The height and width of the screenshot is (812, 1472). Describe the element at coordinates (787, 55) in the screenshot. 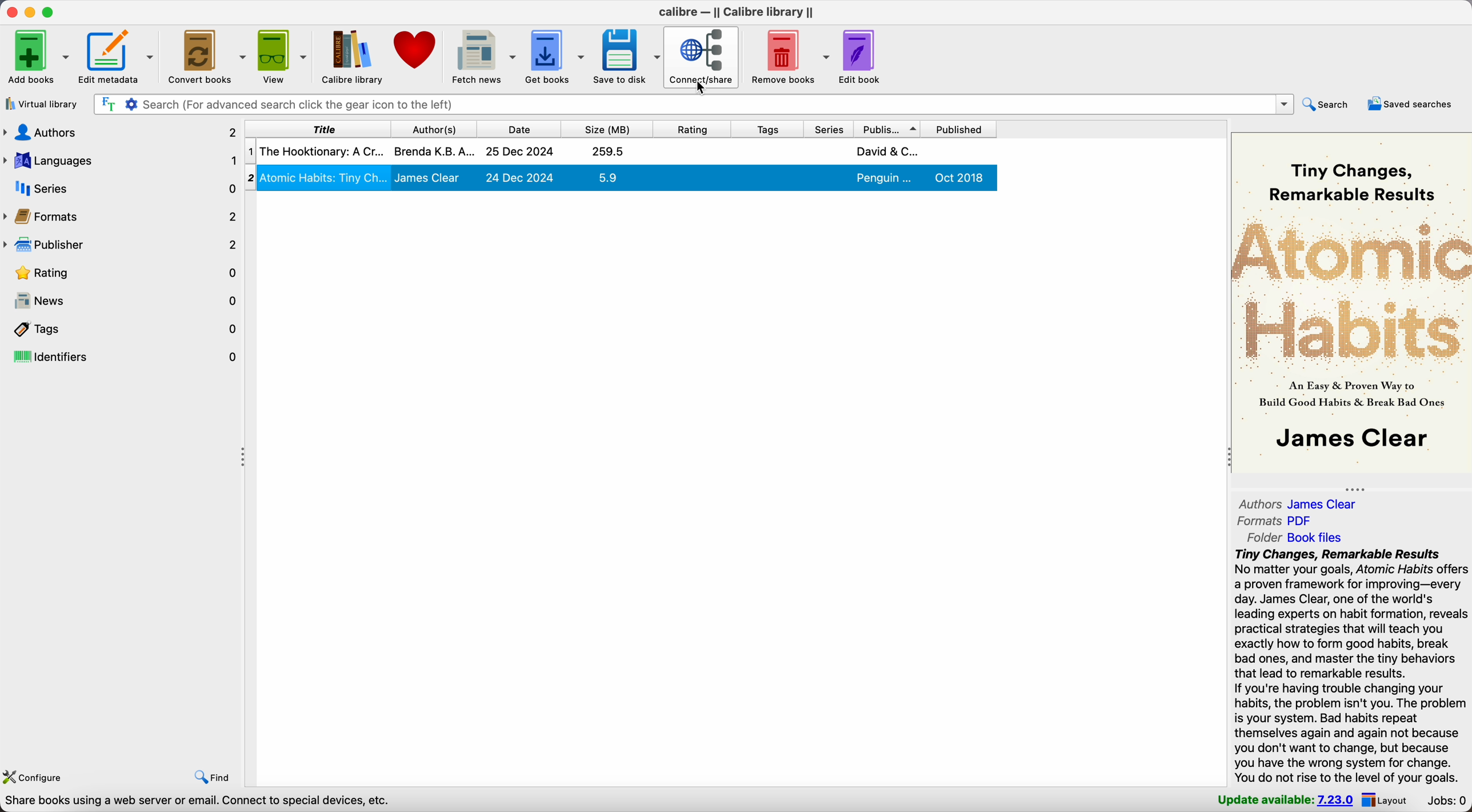

I see `remove books` at that location.